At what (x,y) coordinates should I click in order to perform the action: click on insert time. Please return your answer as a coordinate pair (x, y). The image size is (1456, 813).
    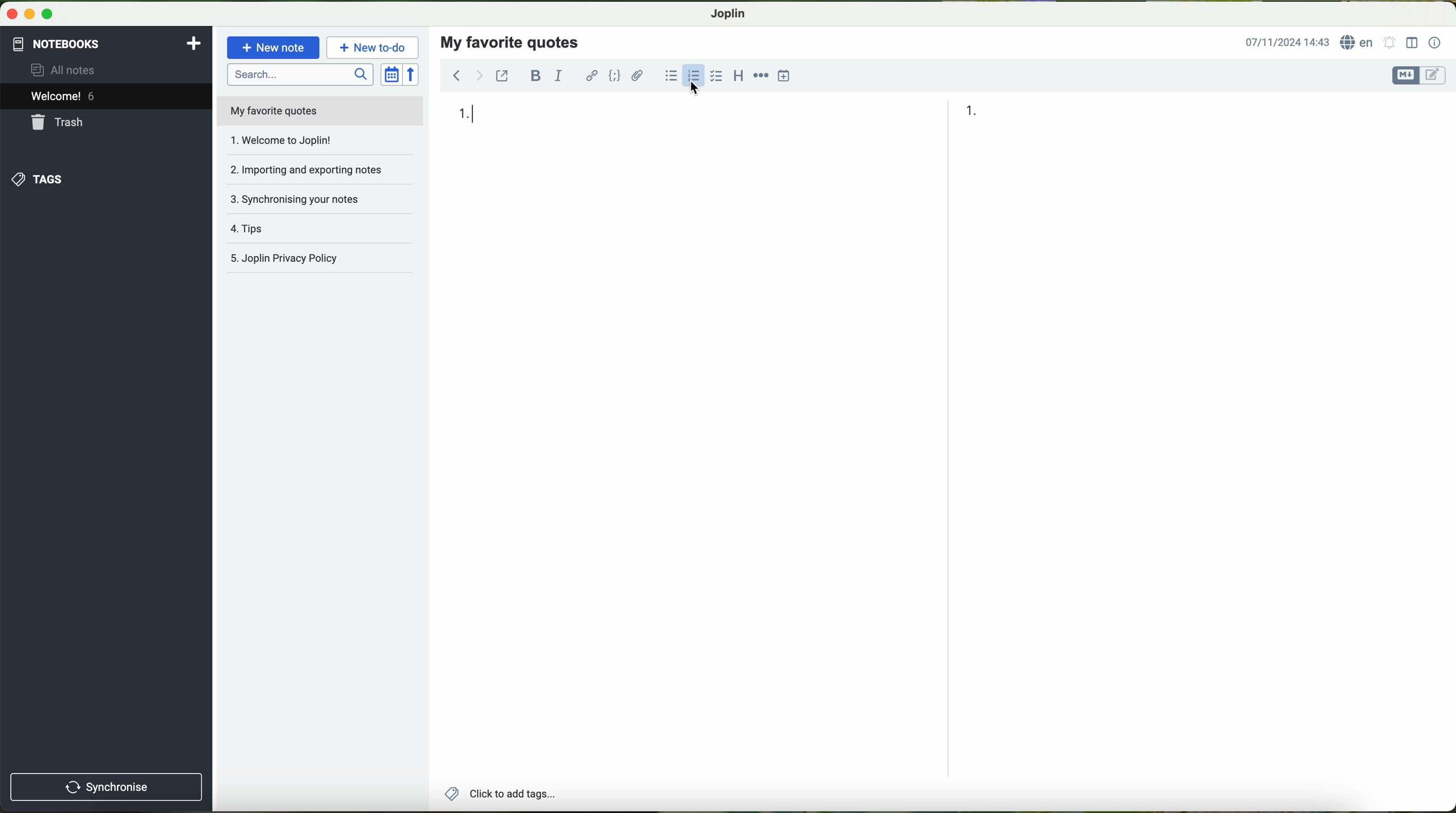
    Looking at the image, I should click on (787, 75).